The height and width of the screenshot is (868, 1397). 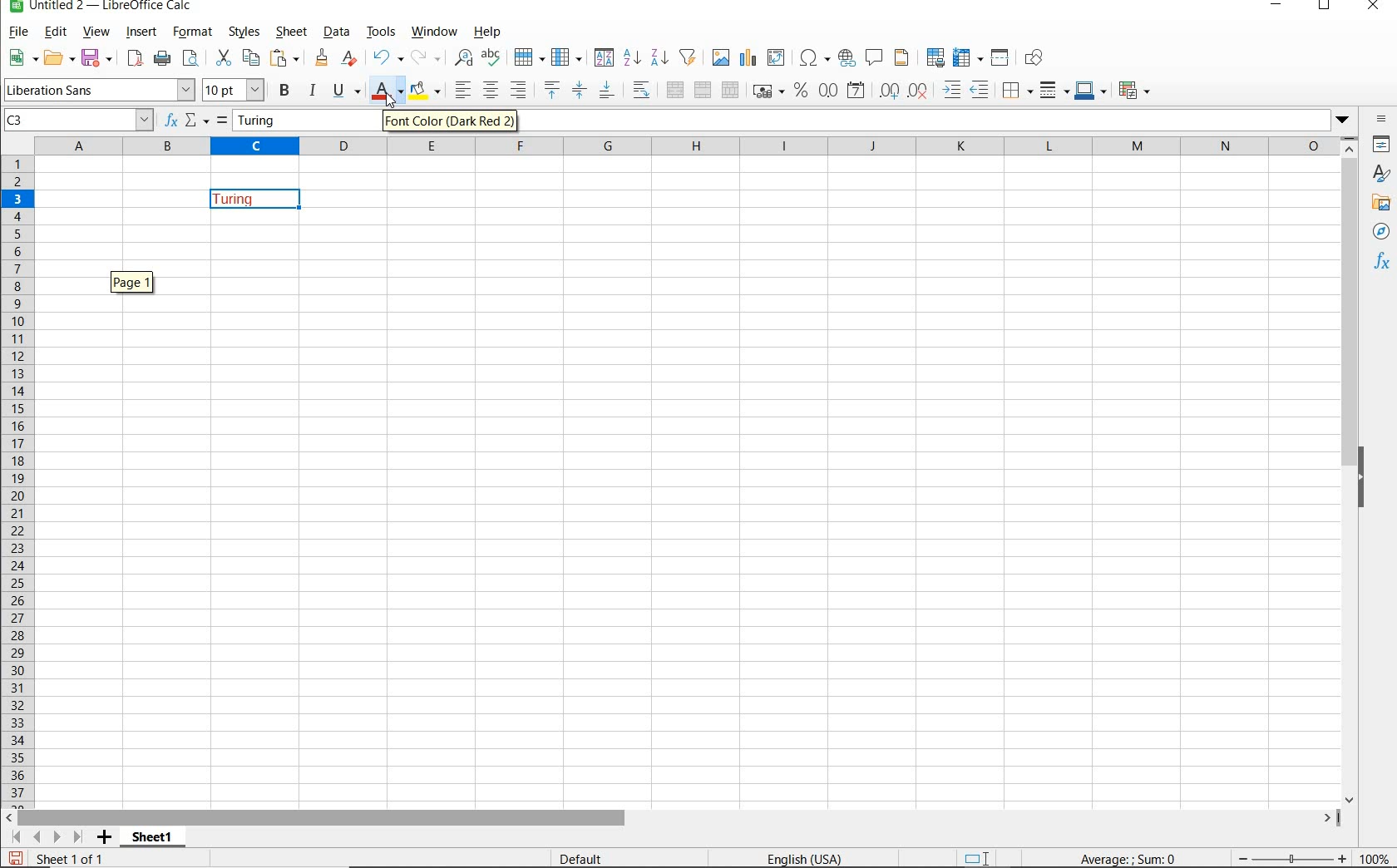 What do you see at coordinates (632, 59) in the screenshot?
I see `SORT ASCENDING` at bounding box center [632, 59].